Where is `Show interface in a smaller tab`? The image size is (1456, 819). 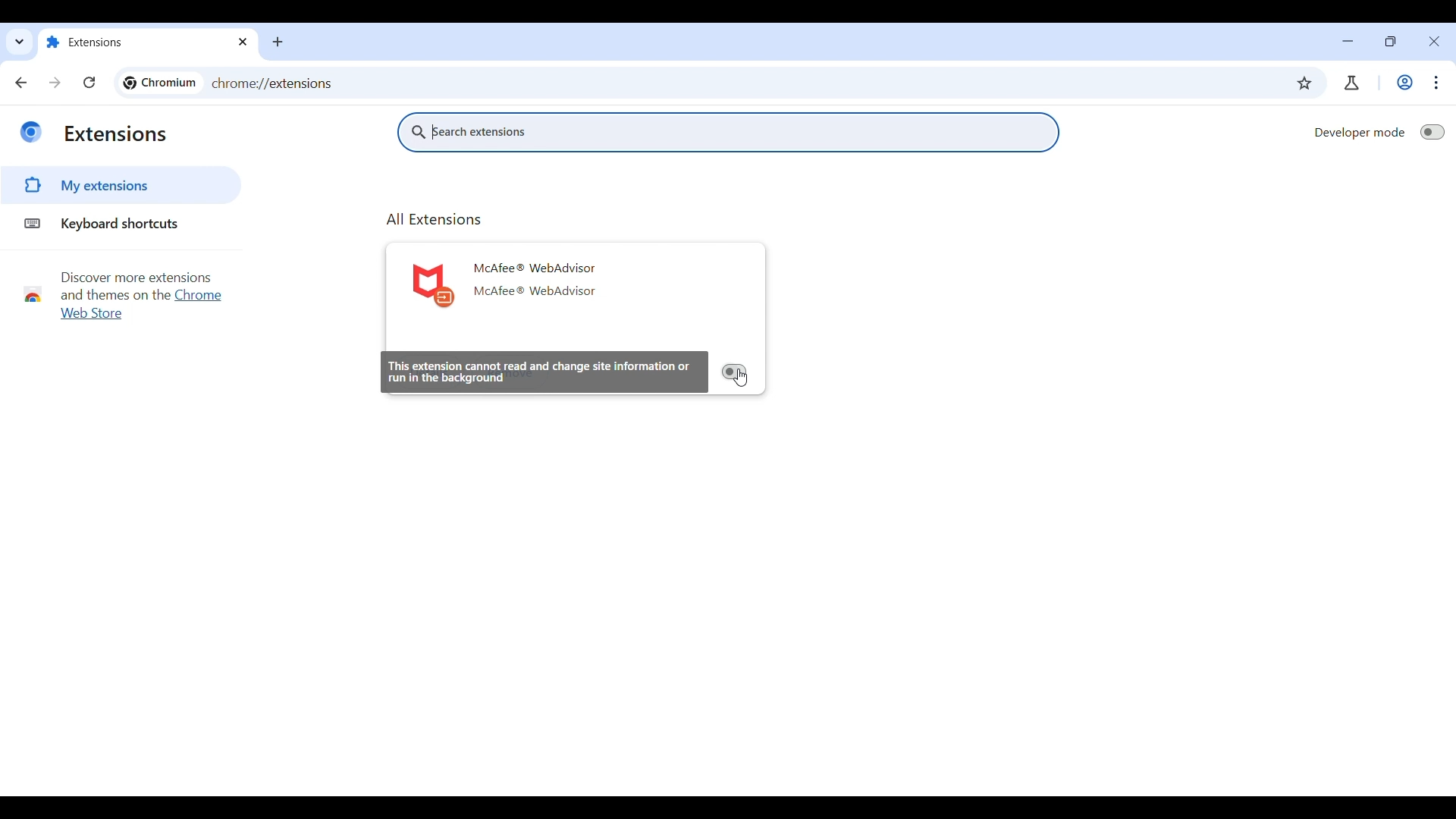
Show interface in a smaller tab is located at coordinates (1390, 41).